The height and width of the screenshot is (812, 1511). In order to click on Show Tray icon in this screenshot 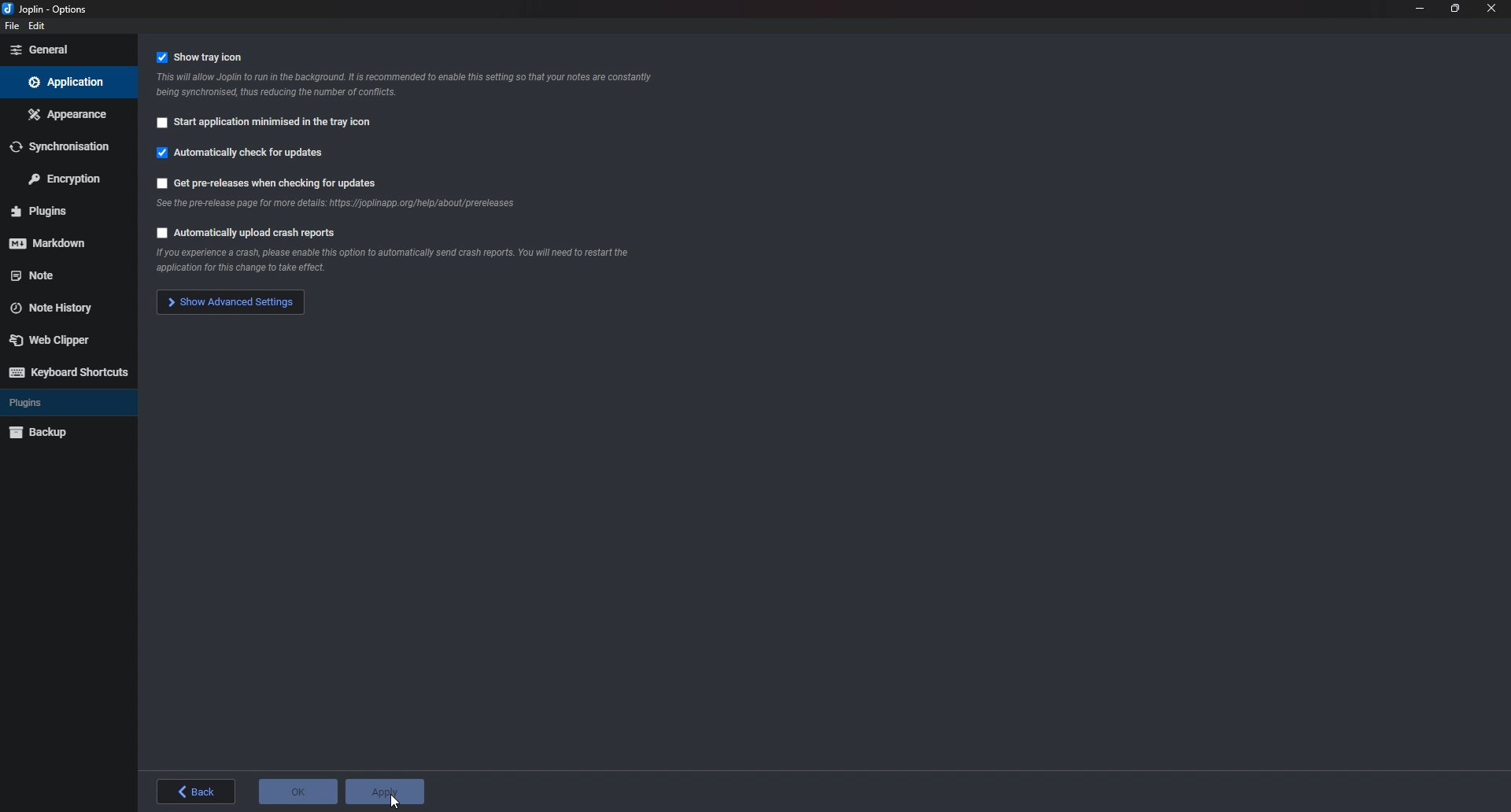, I will do `click(209, 57)`.